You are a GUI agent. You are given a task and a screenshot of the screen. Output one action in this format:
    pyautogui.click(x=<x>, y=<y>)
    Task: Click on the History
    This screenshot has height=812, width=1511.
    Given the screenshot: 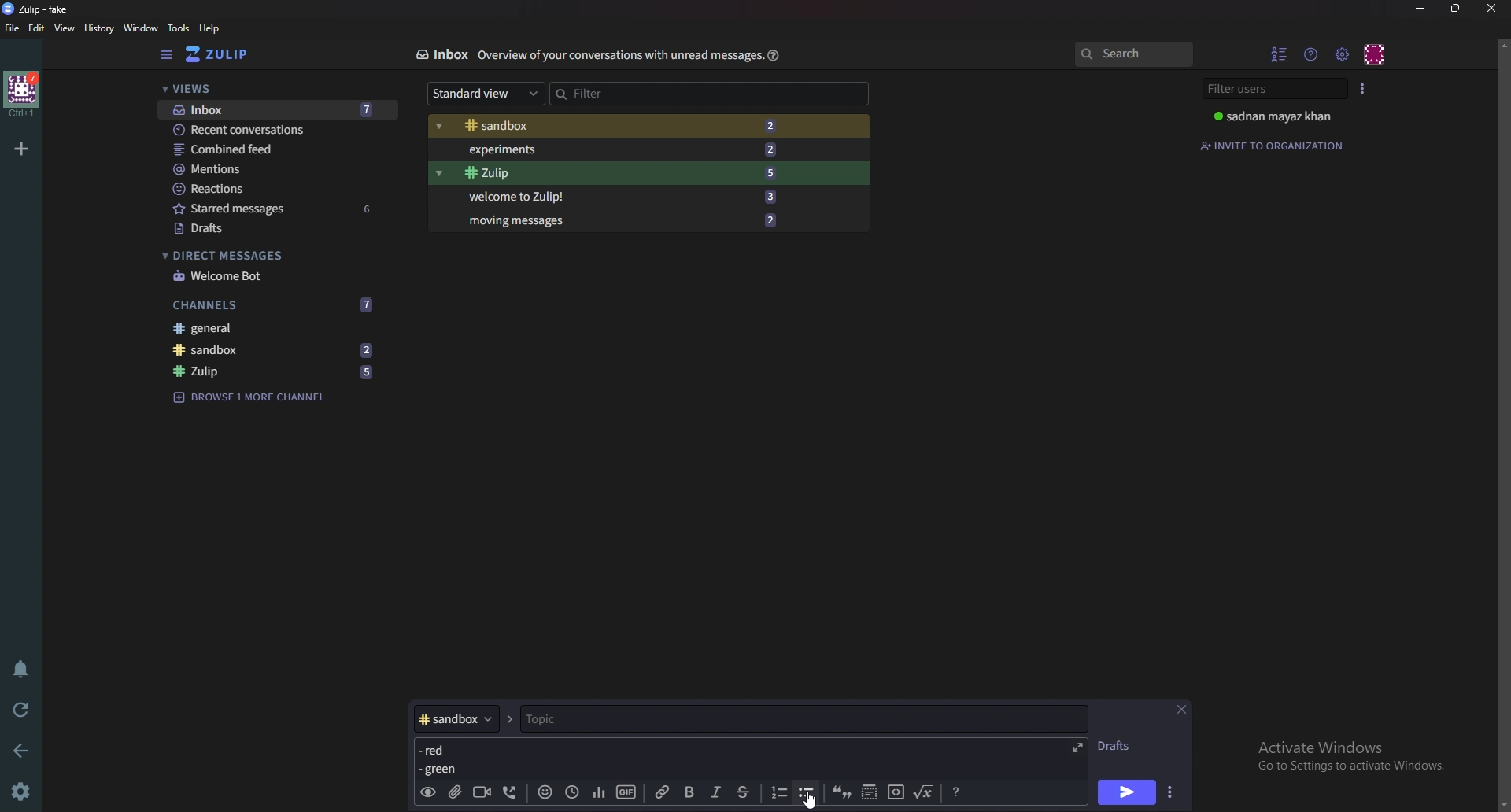 What is the action you would take?
    pyautogui.click(x=101, y=28)
    